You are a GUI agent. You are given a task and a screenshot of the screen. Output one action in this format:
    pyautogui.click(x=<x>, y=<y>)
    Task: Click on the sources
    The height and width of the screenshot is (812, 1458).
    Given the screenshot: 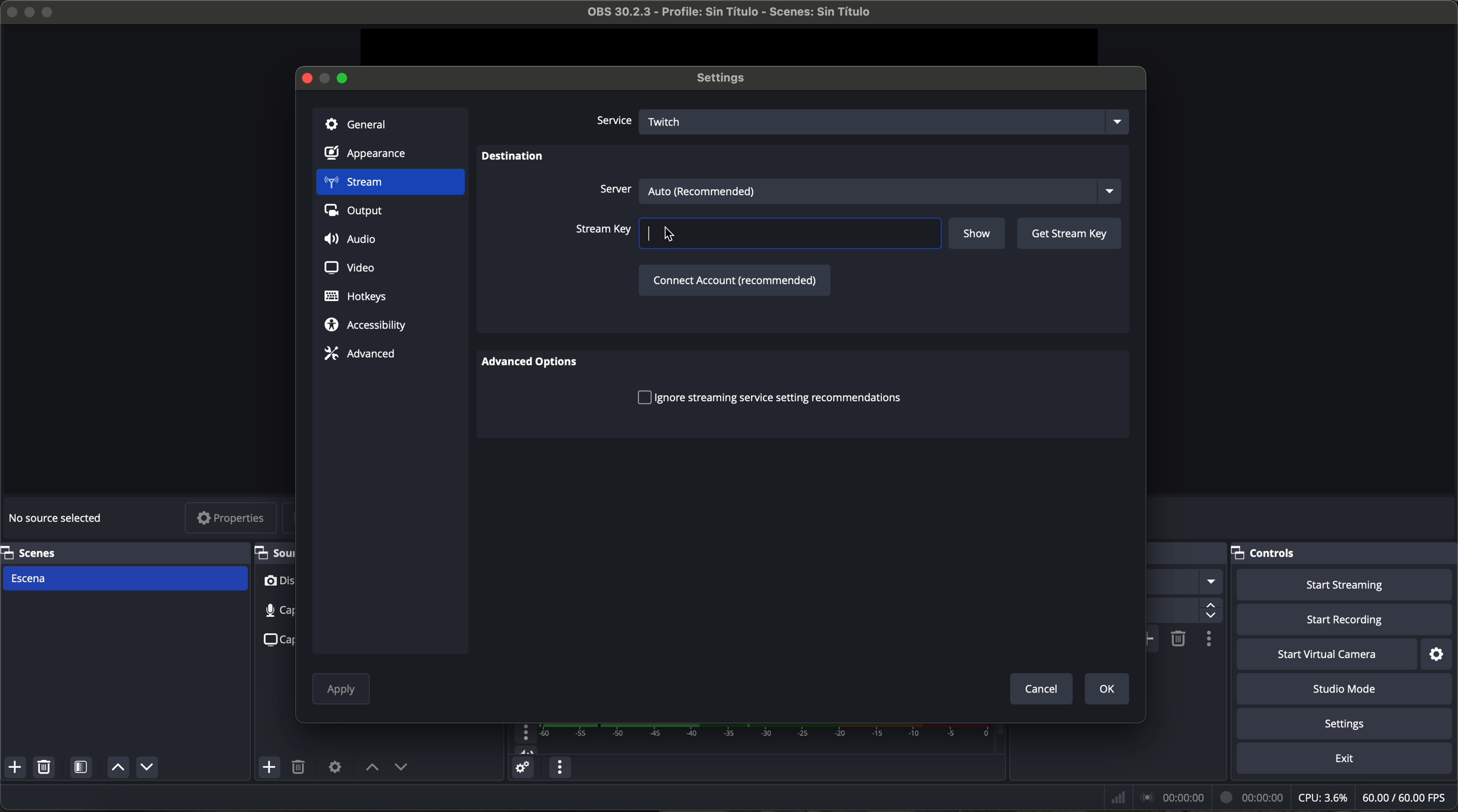 What is the action you would take?
    pyautogui.click(x=273, y=552)
    